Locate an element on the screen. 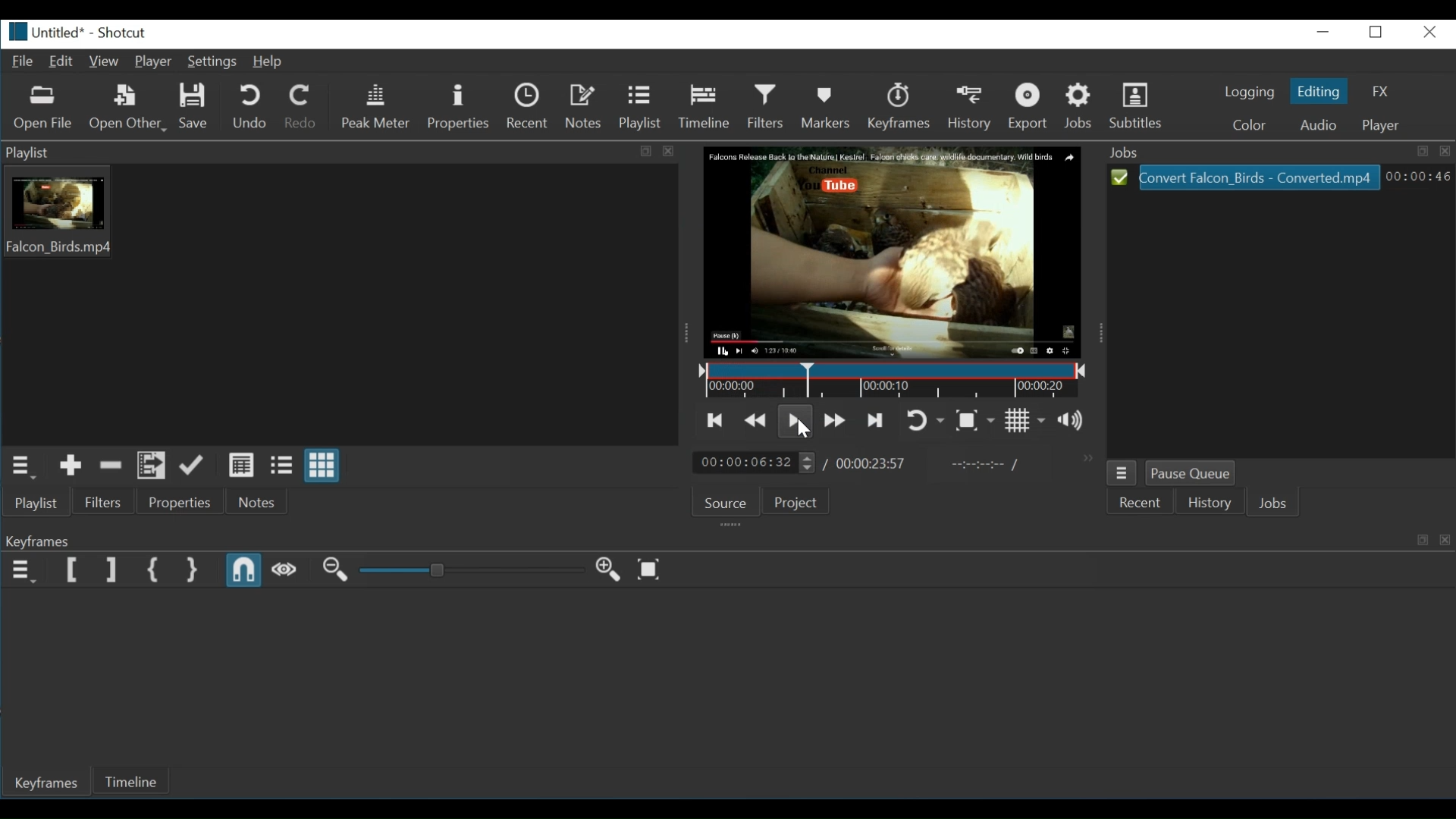  Source is located at coordinates (726, 505).